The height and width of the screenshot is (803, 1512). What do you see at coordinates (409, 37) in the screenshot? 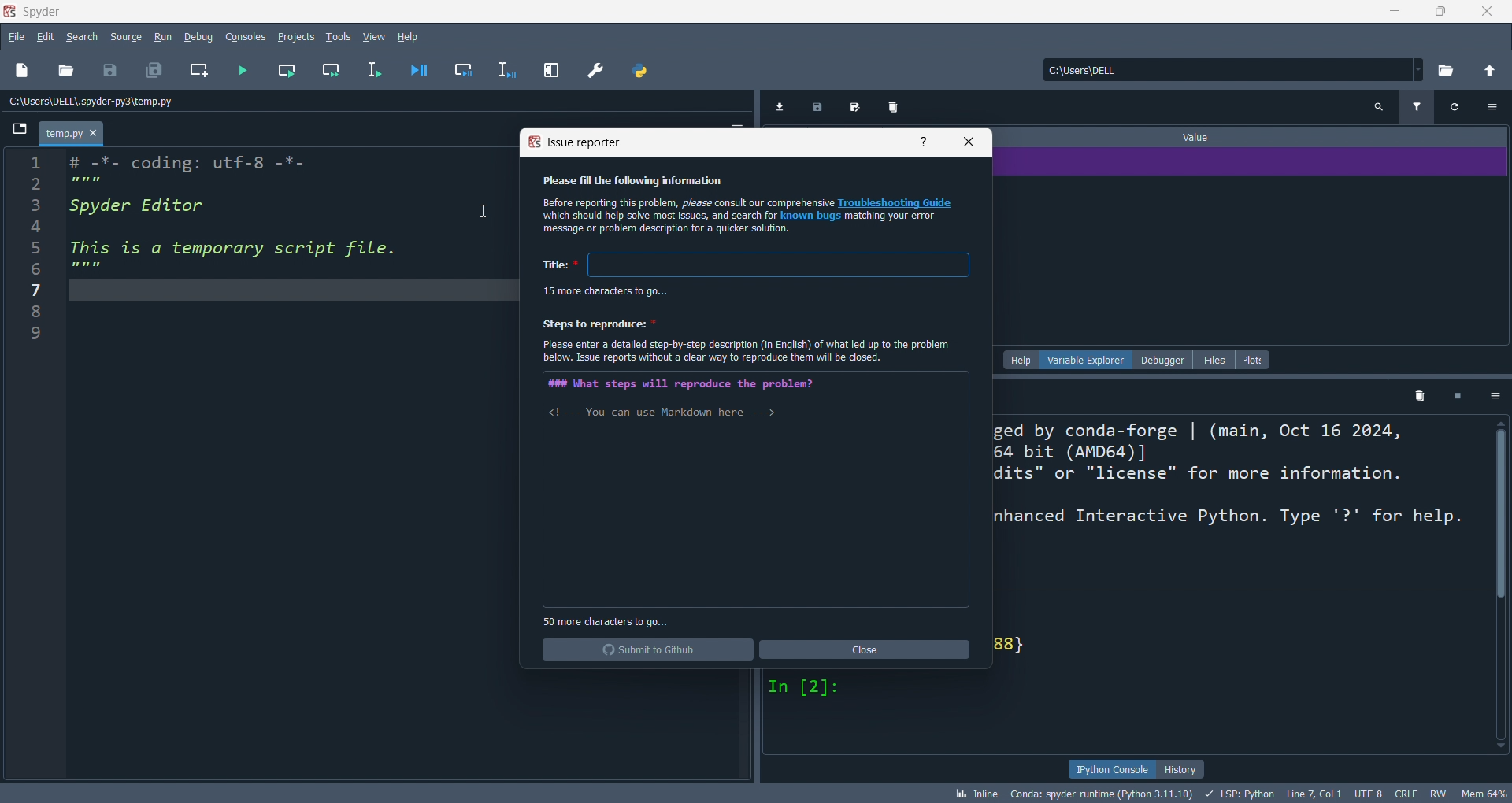
I see `help` at bounding box center [409, 37].